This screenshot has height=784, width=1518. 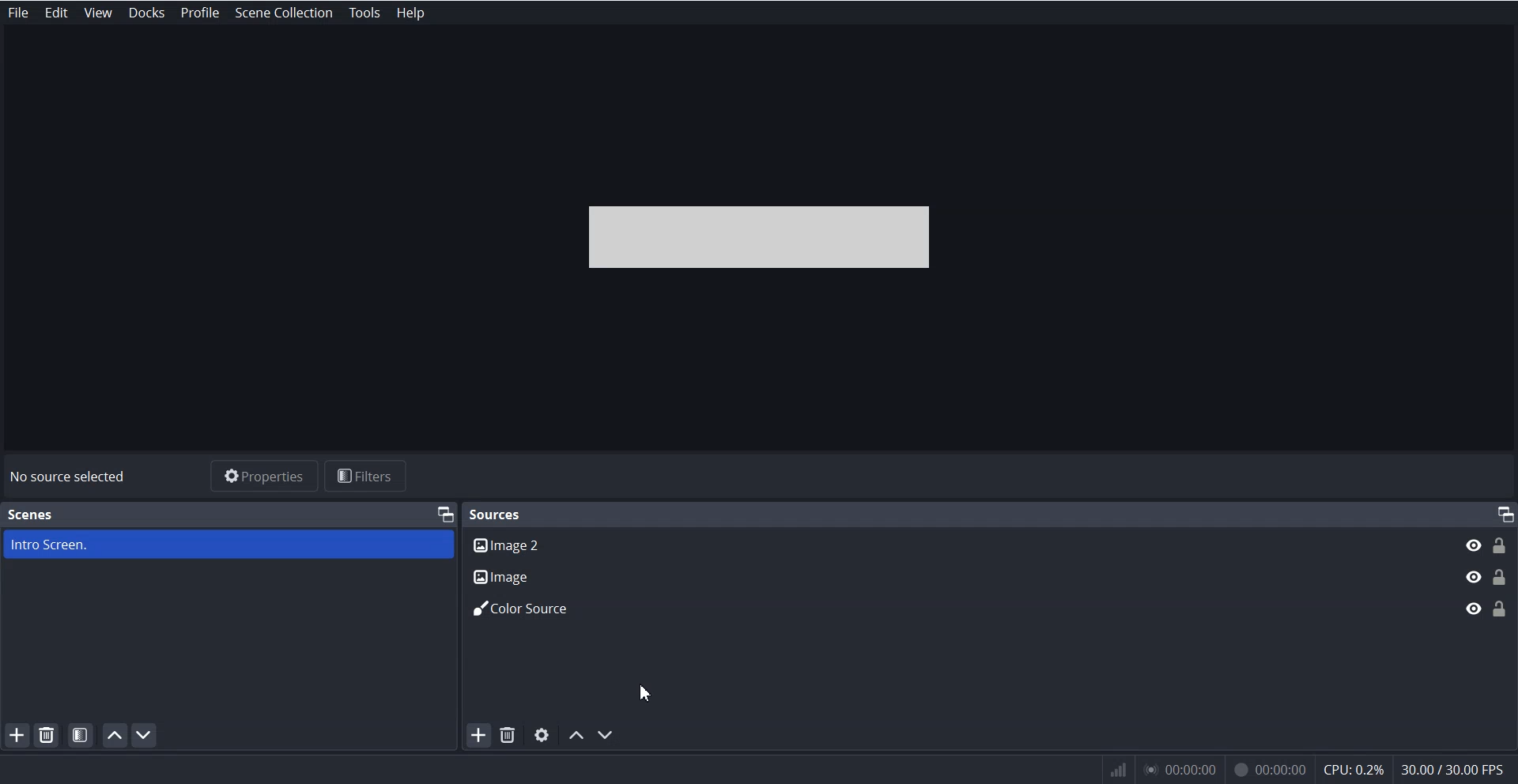 What do you see at coordinates (1458, 768) in the screenshot?
I see `30.007 30.00 EPs` at bounding box center [1458, 768].